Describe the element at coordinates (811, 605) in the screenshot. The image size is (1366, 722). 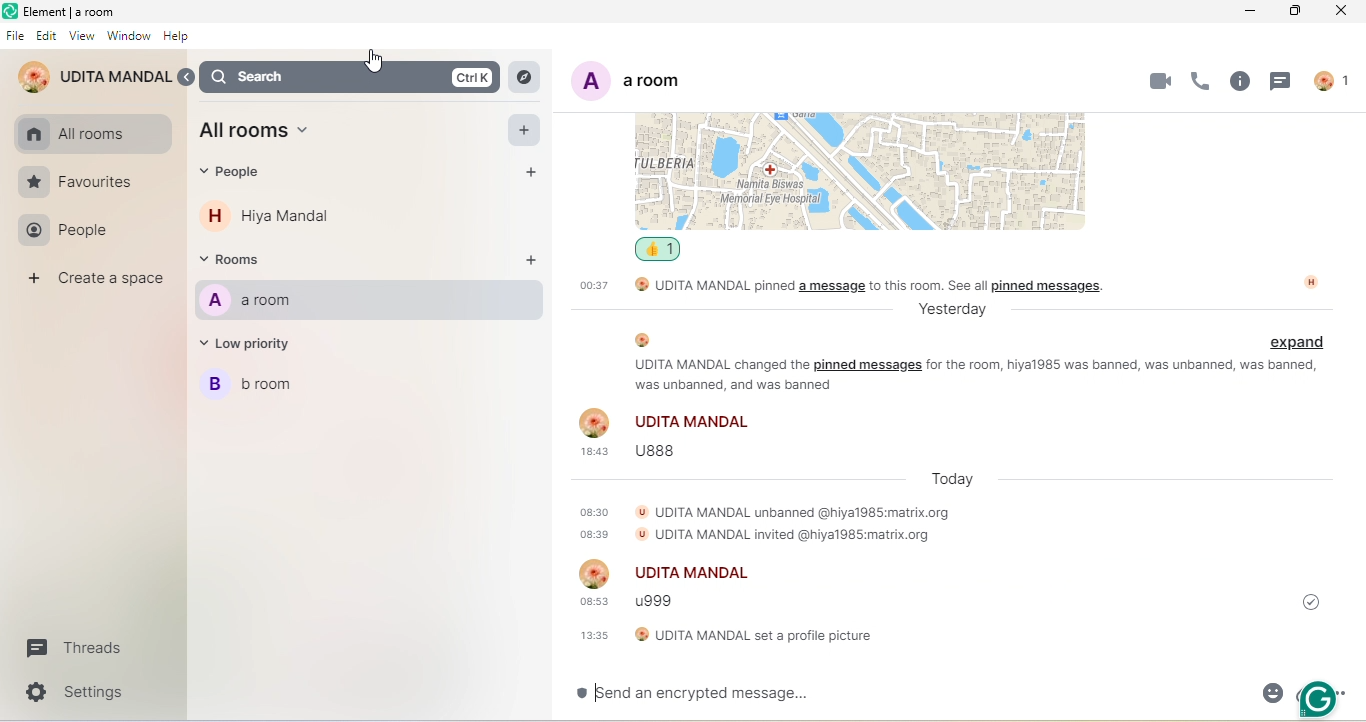
I see `08:53 u999` at that location.